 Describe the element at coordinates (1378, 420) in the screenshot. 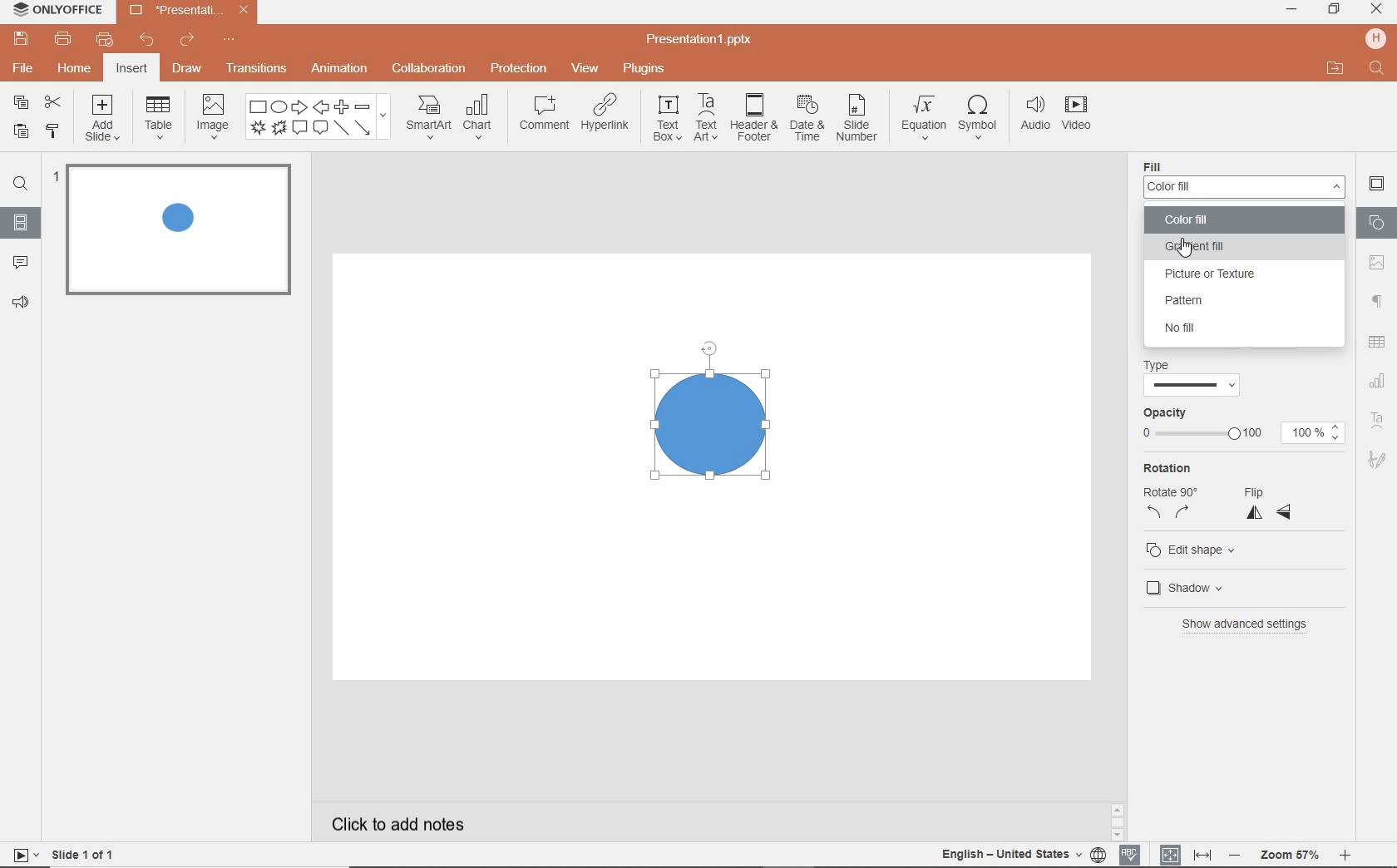

I see `text art` at that location.